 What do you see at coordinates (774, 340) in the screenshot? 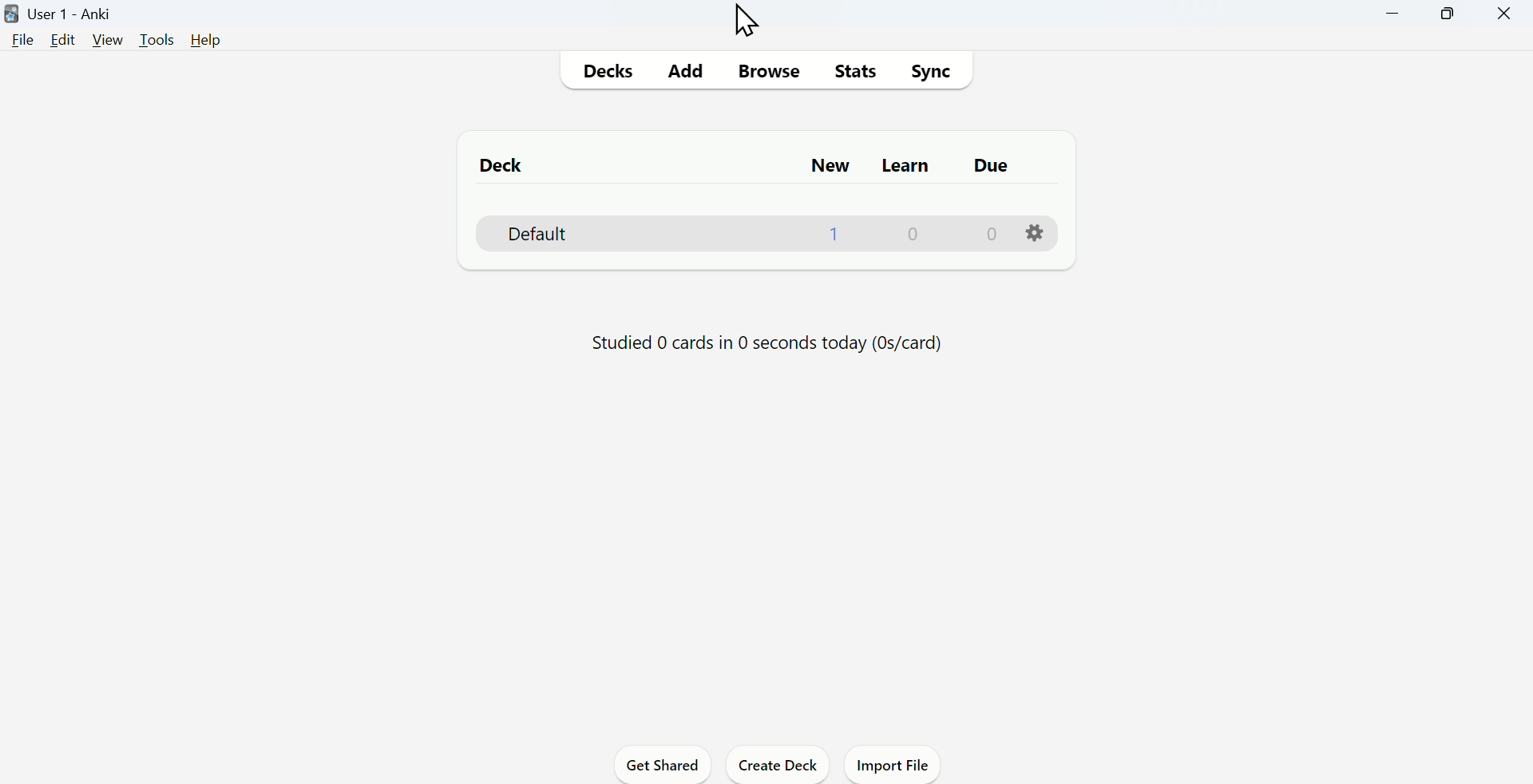
I see `Studied 0 cards in 0 seconds today (0s/card)` at bounding box center [774, 340].